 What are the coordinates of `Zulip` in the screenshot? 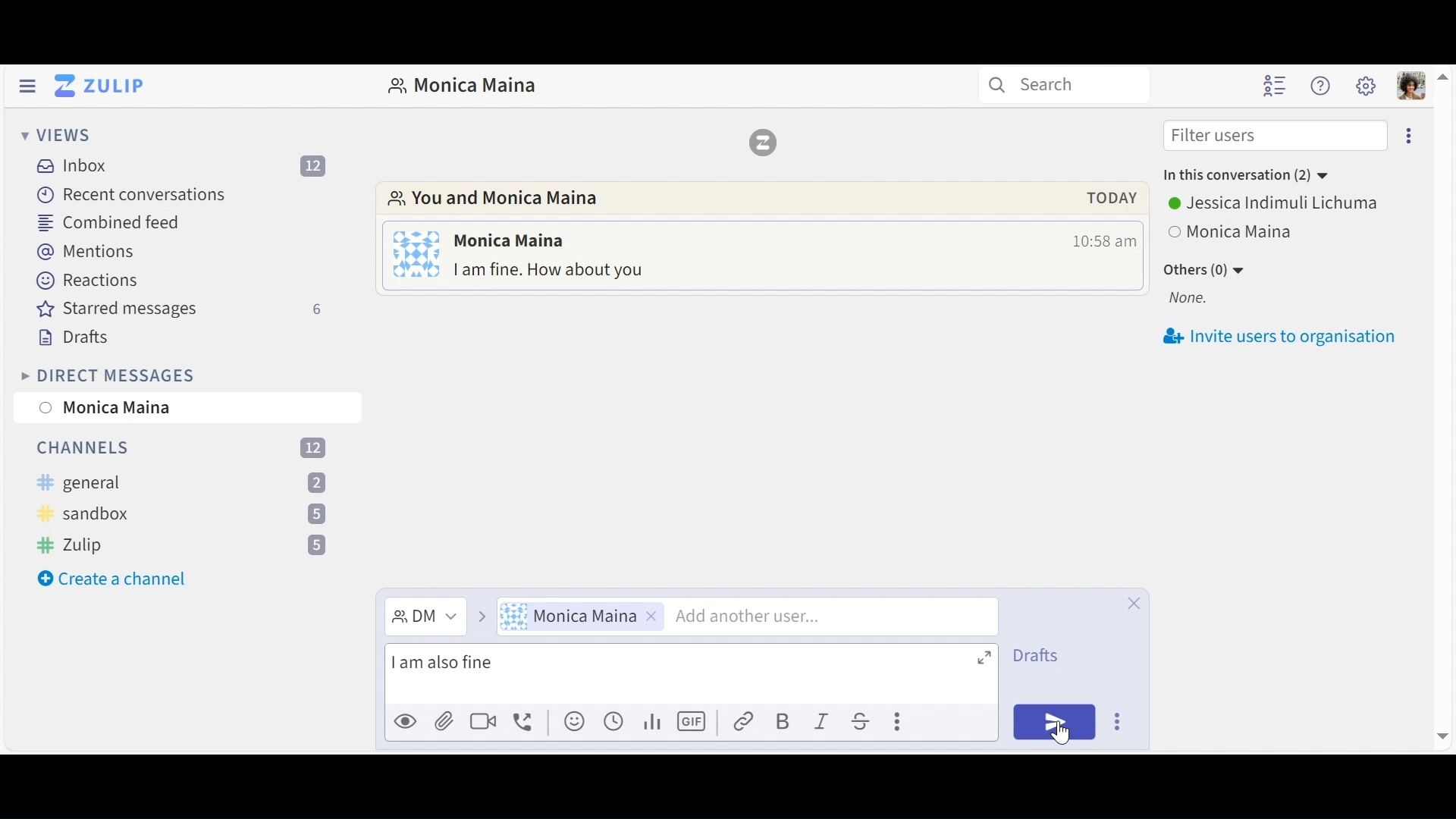 It's located at (761, 142).